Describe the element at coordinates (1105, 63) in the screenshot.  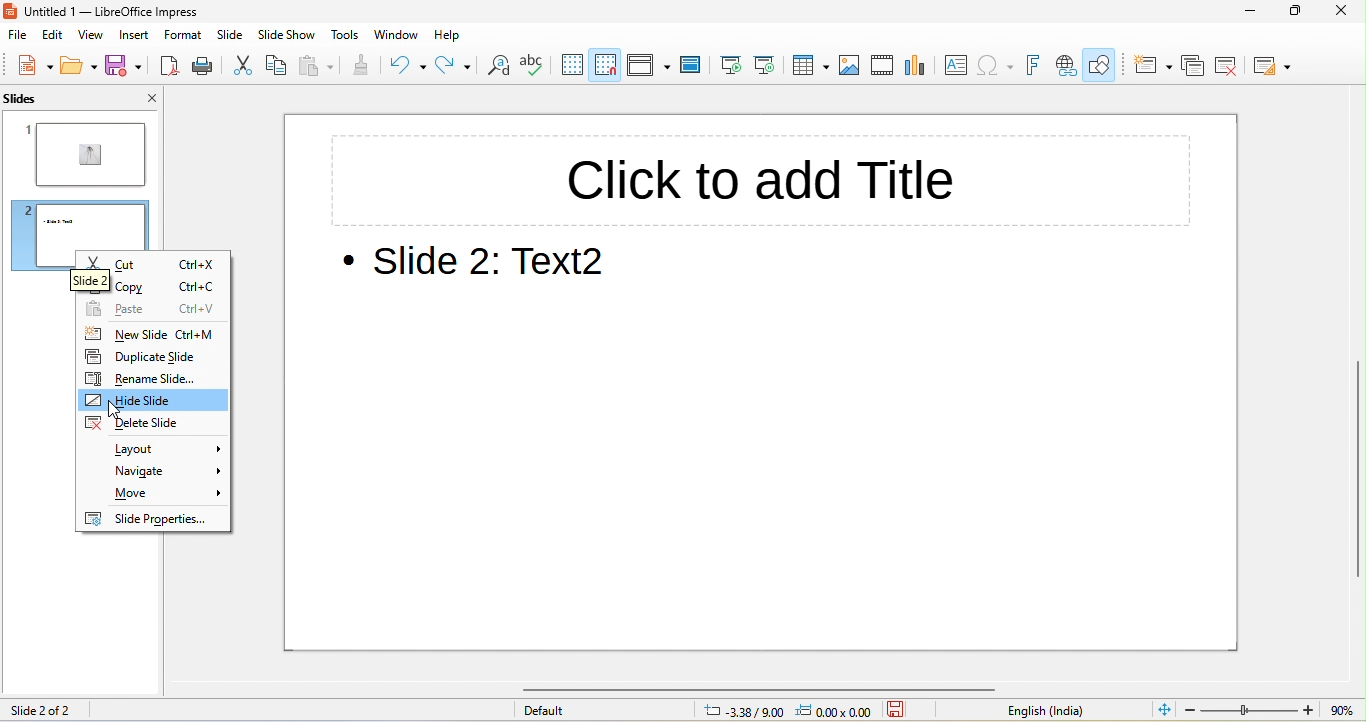
I see `show draw function` at that location.